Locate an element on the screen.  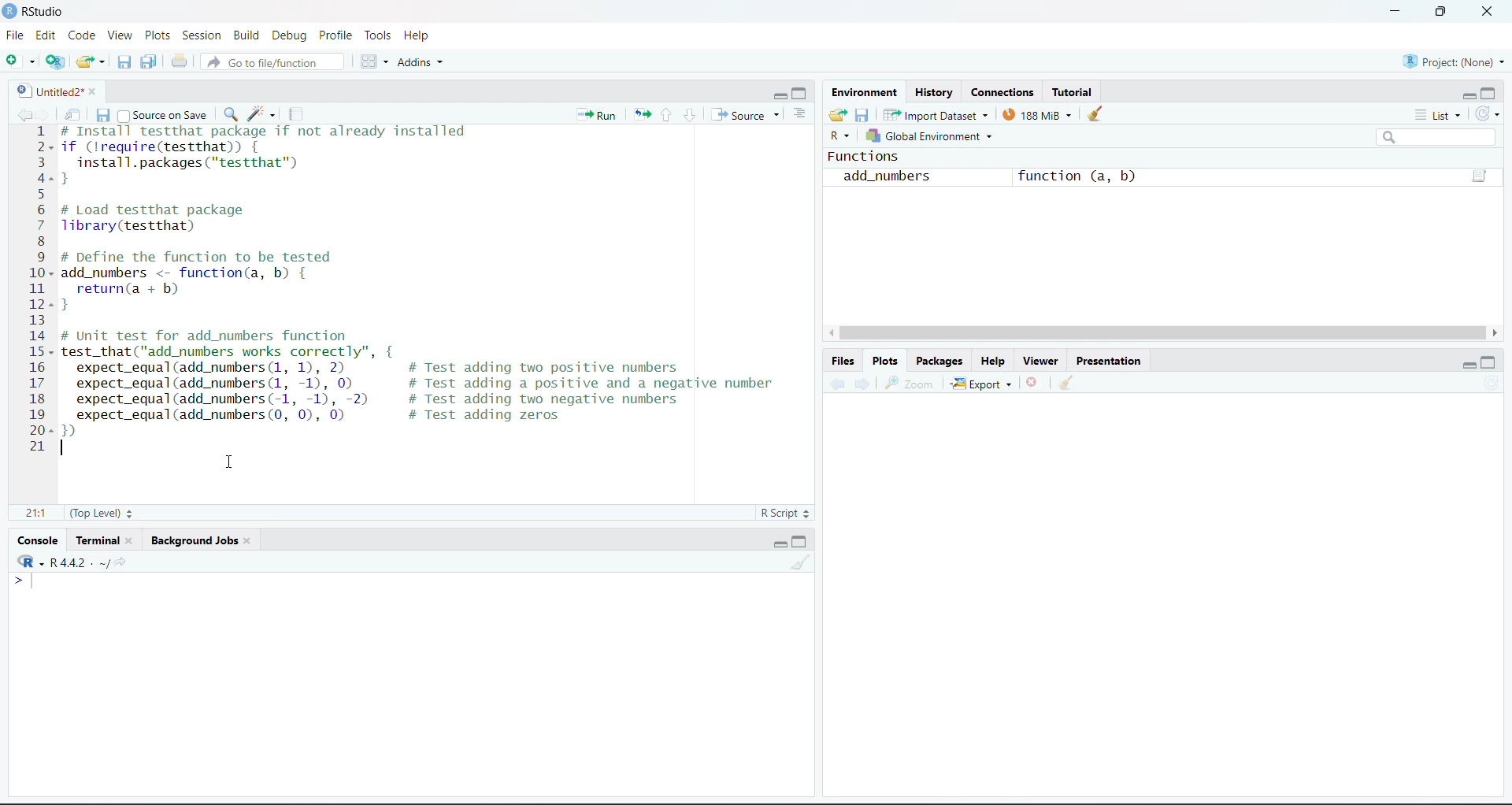
find/replace is located at coordinates (232, 114).